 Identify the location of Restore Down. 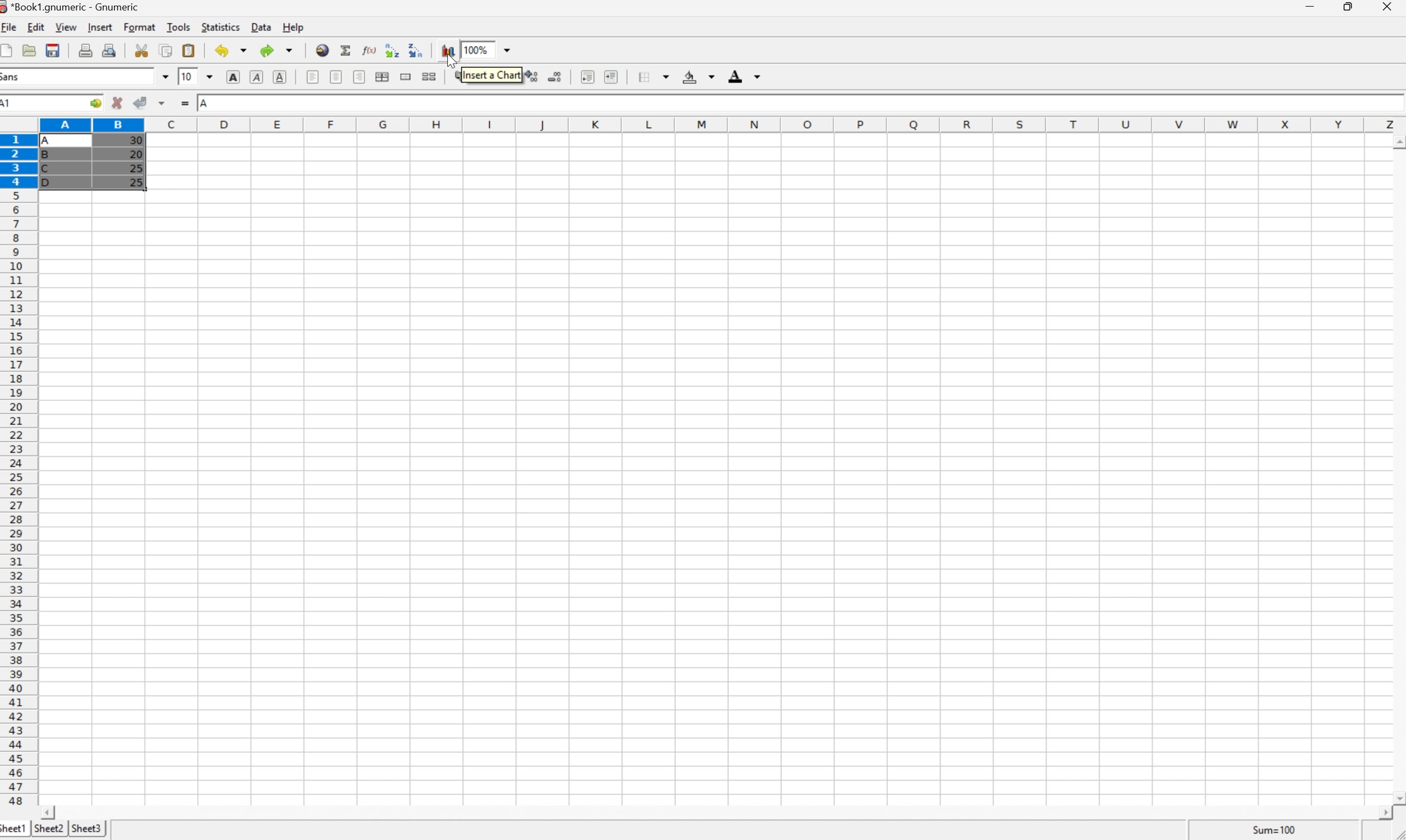
(1351, 6).